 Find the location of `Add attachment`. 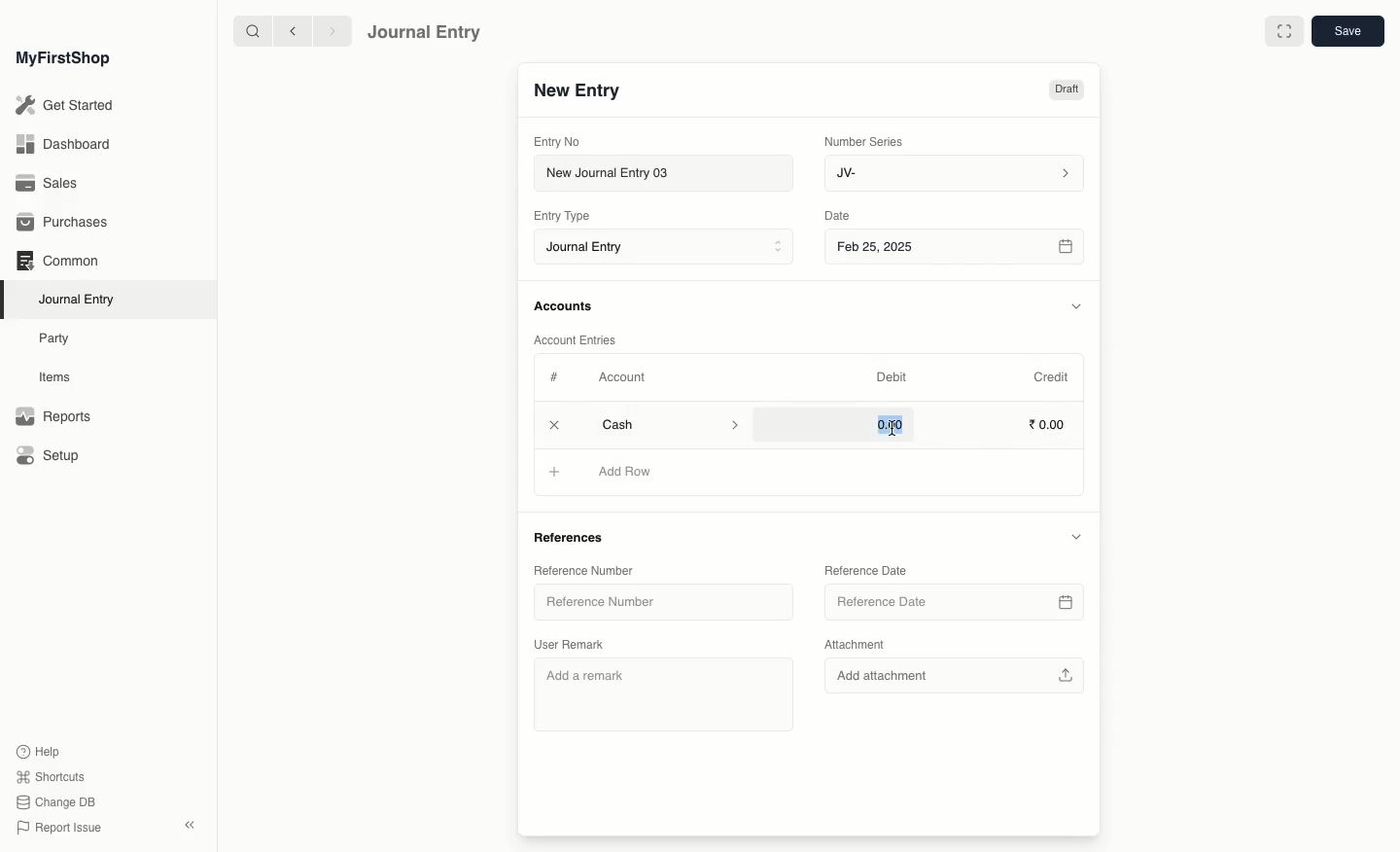

Add attachment is located at coordinates (957, 675).